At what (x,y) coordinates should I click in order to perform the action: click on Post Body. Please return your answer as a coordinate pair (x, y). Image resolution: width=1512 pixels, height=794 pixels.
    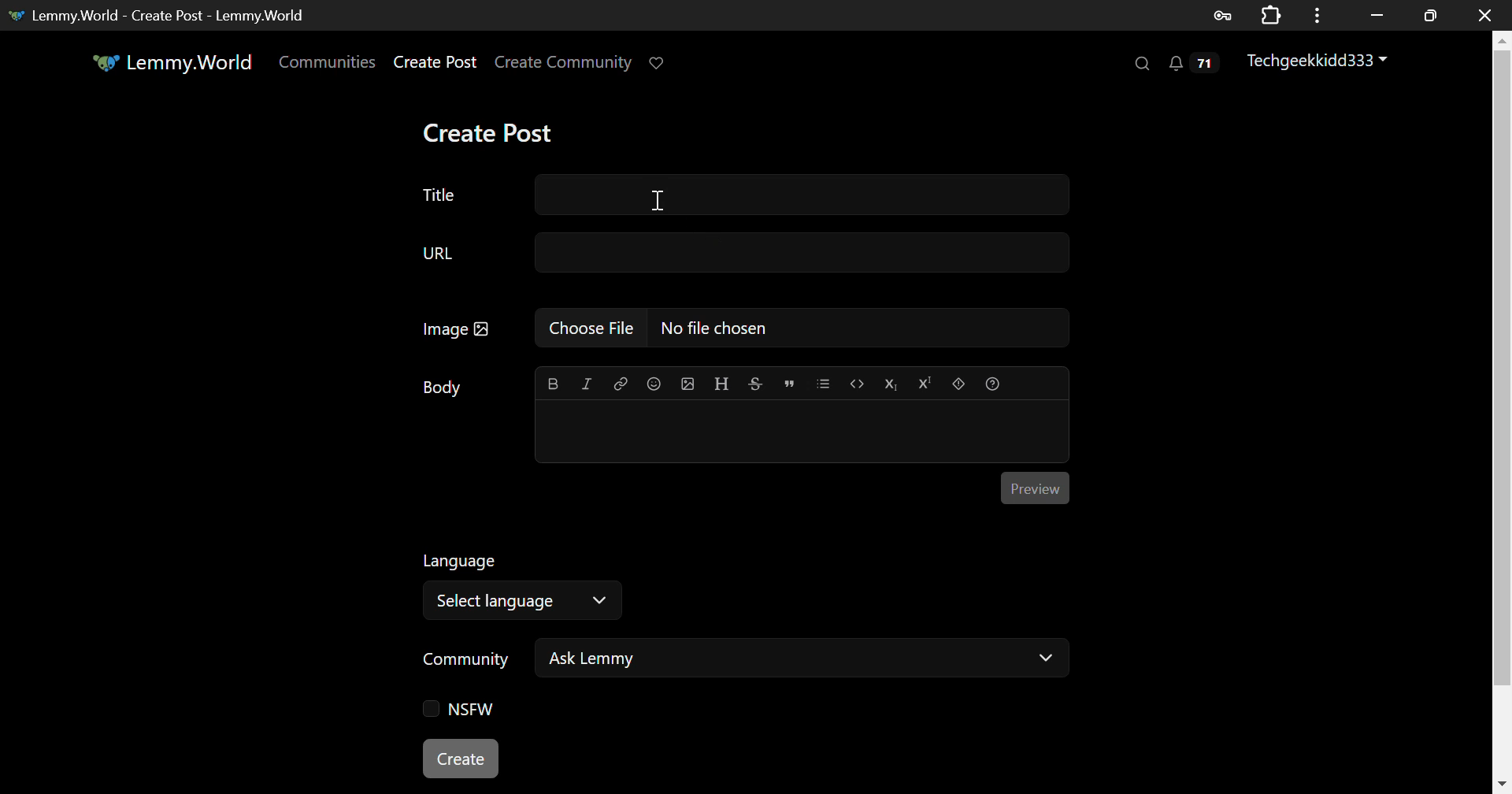
    Looking at the image, I should click on (802, 429).